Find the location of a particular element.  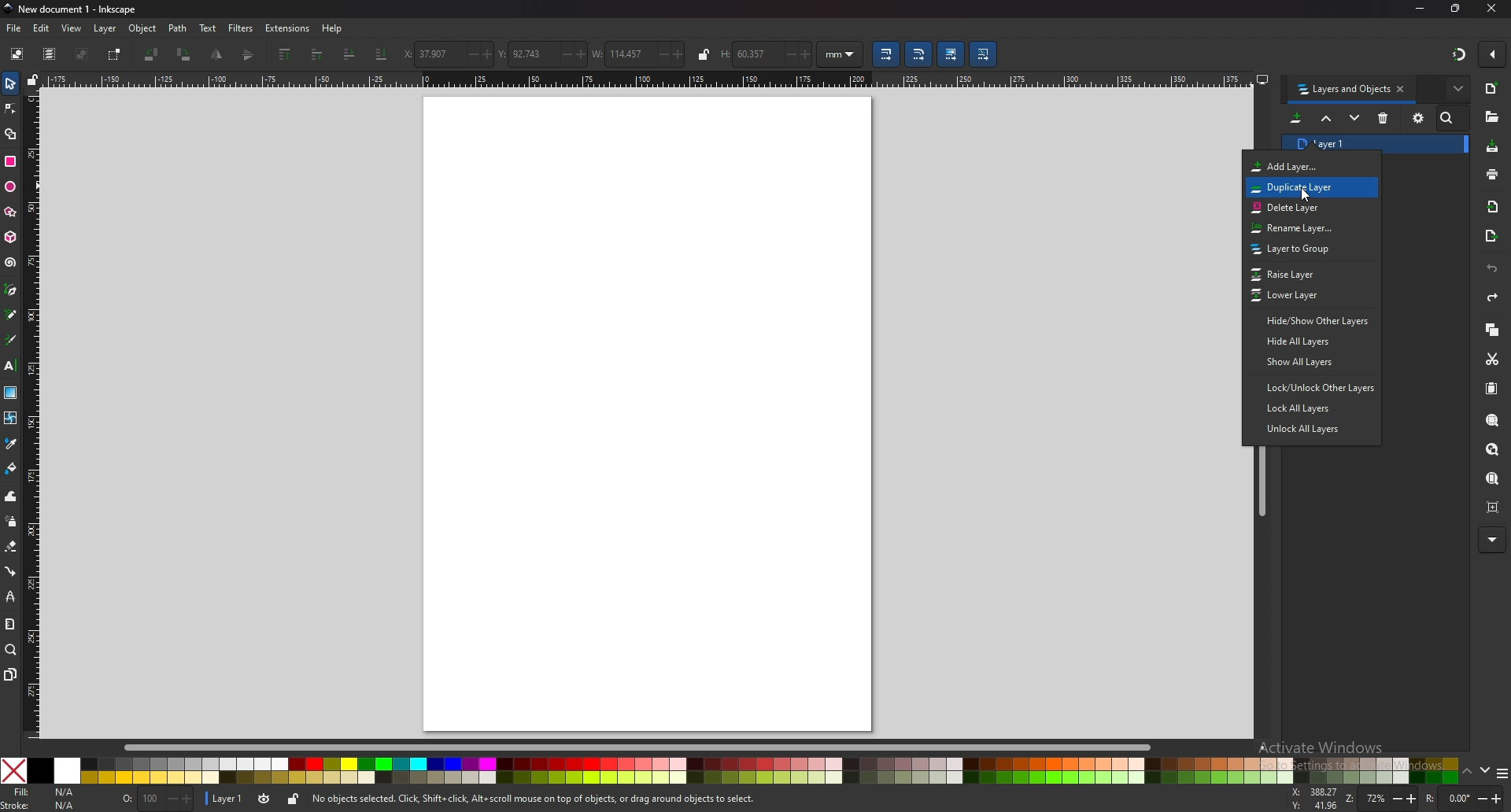

more colors is located at coordinates (1502, 773).